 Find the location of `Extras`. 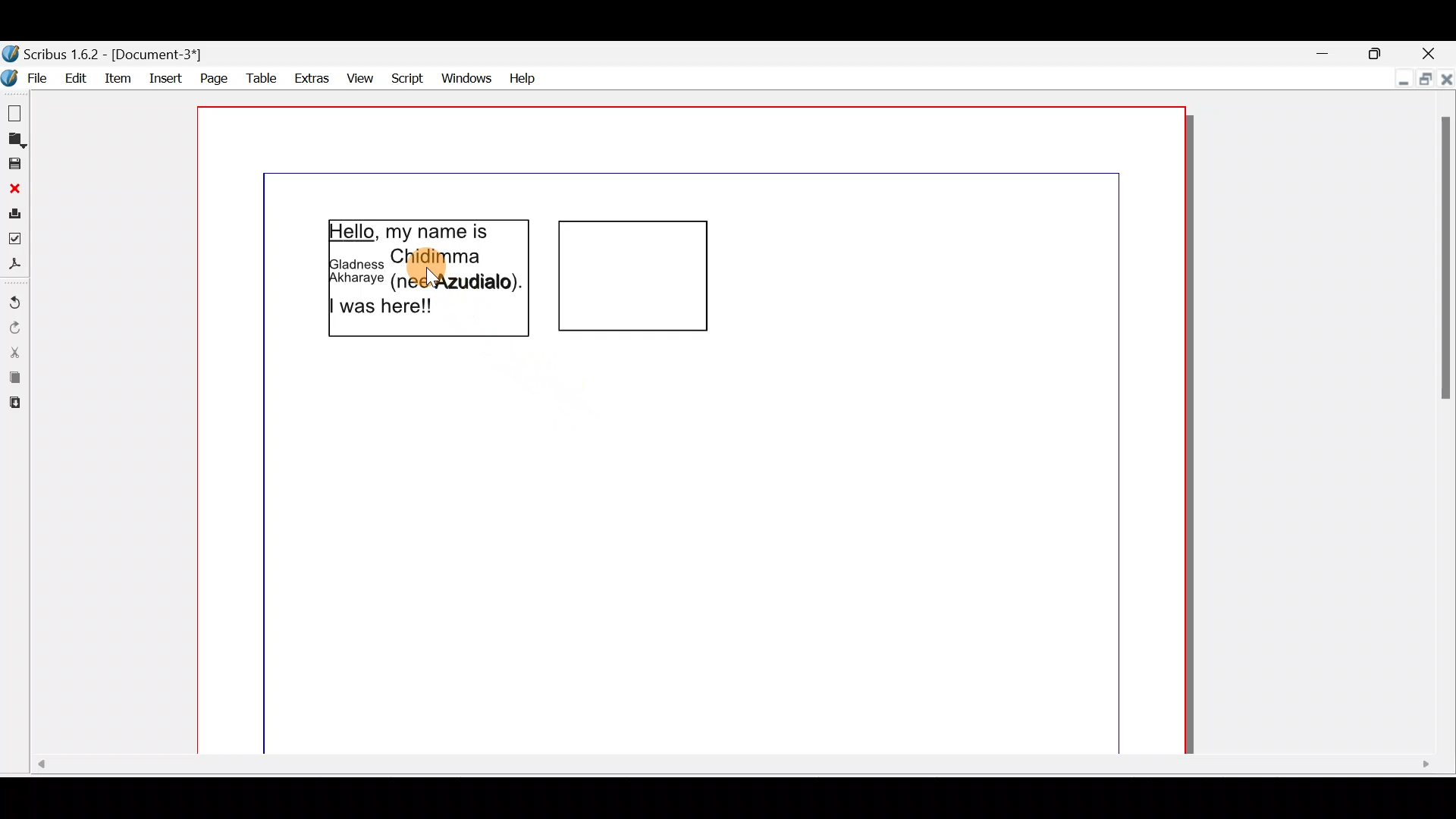

Extras is located at coordinates (309, 77).